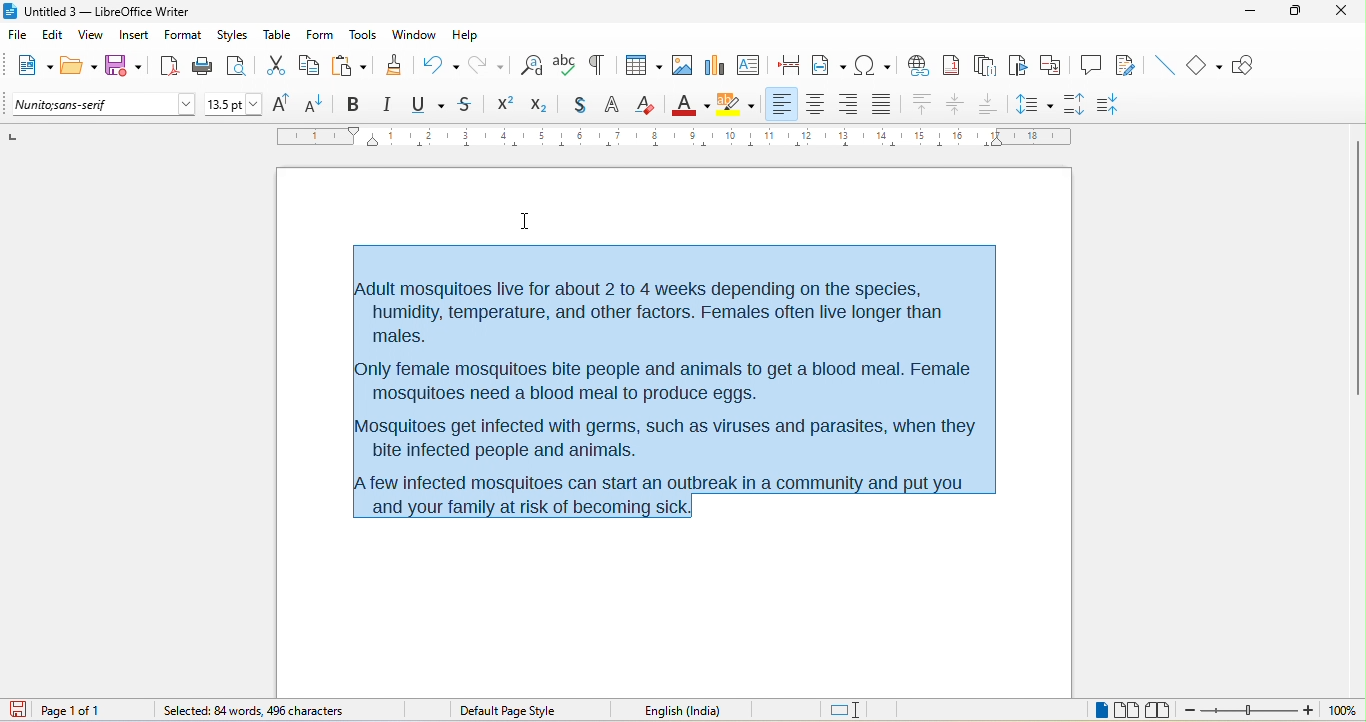  What do you see at coordinates (1055, 65) in the screenshot?
I see `cross reference` at bounding box center [1055, 65].